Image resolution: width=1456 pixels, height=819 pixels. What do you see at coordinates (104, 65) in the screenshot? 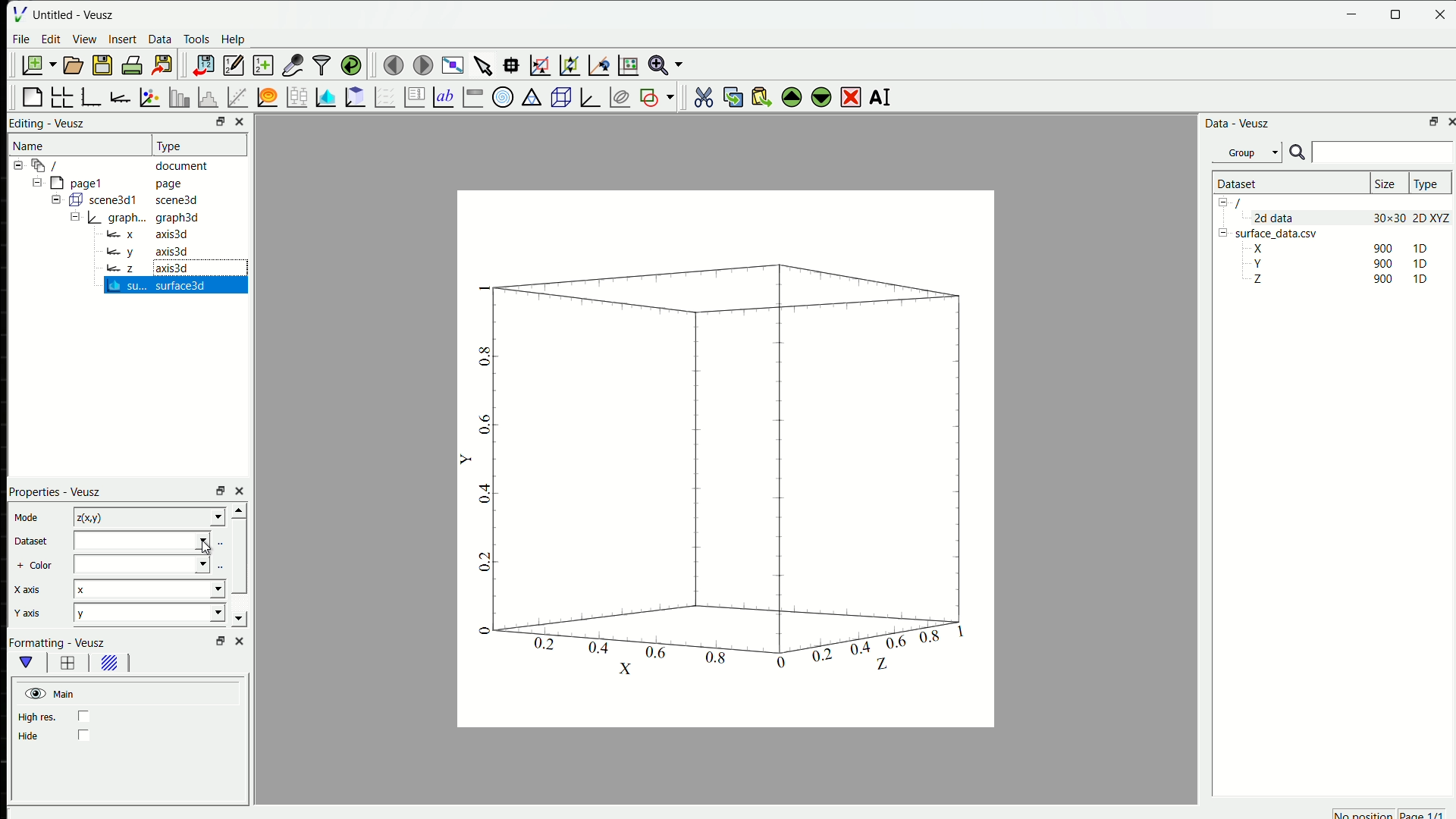
I see `save` at bounding box center [104, 65].